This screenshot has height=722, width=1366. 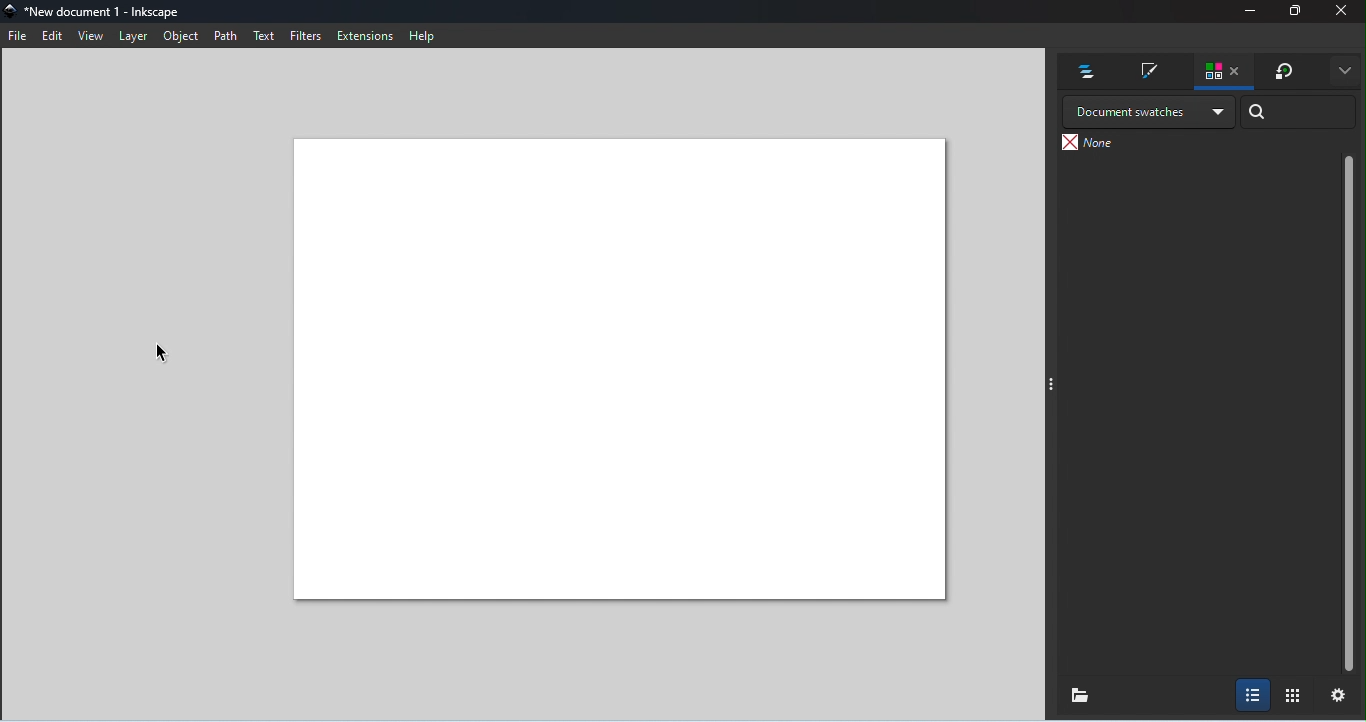 I want to click on Help, so click(x=425, y=36).